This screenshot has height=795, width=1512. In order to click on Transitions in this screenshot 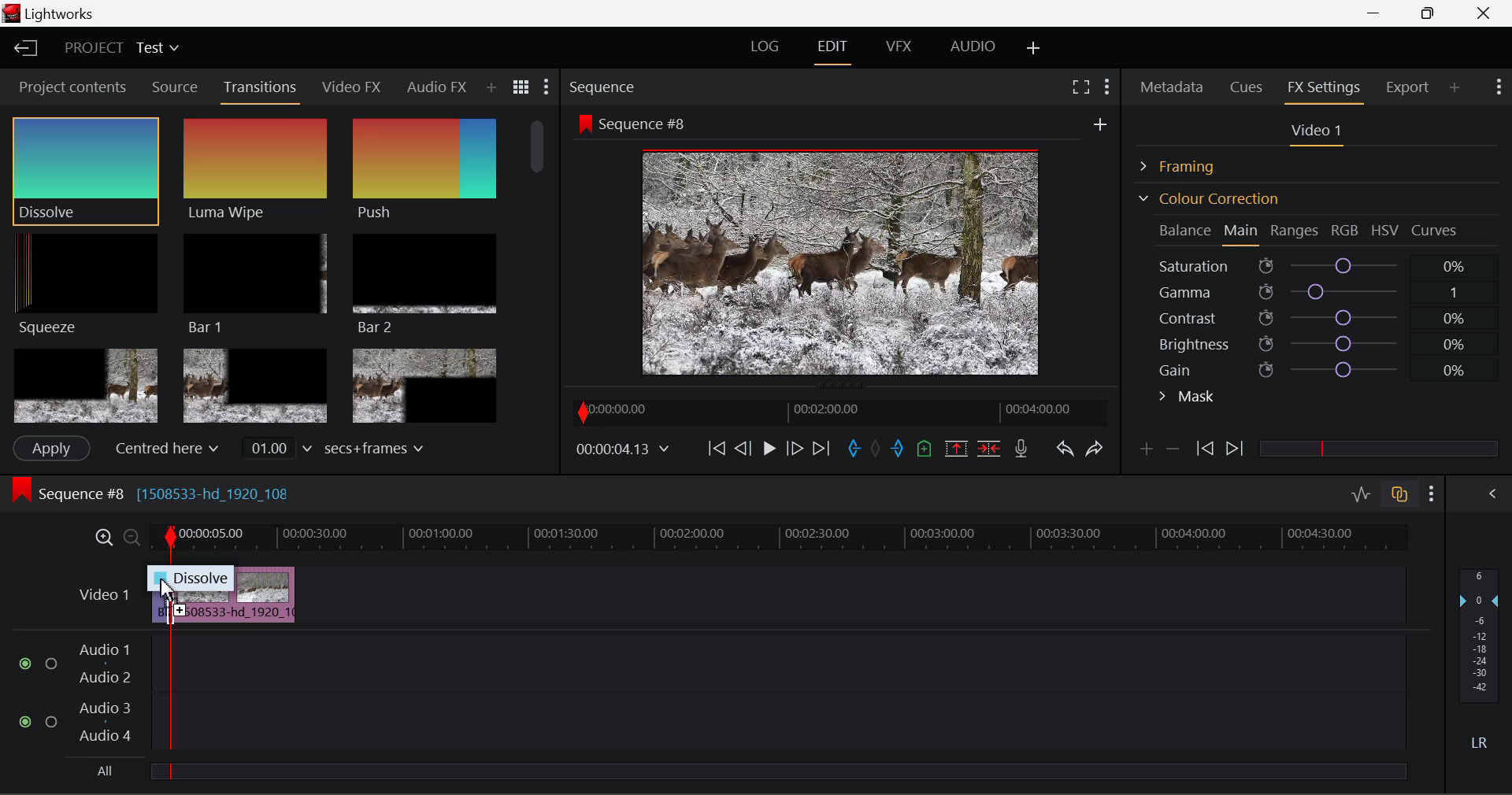, I will do `click(261, 89)`.